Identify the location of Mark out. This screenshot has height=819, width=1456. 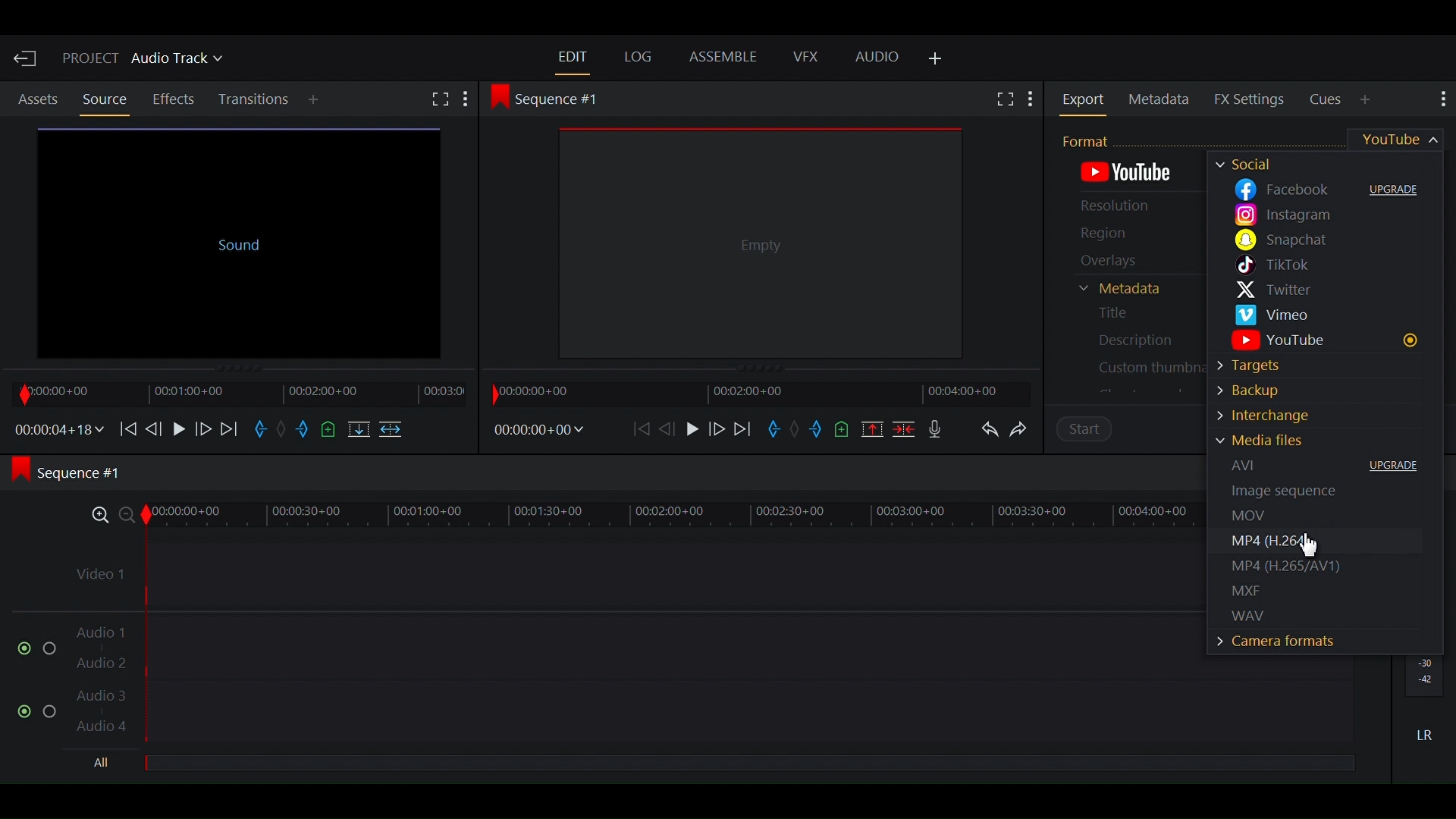
(304, 431).